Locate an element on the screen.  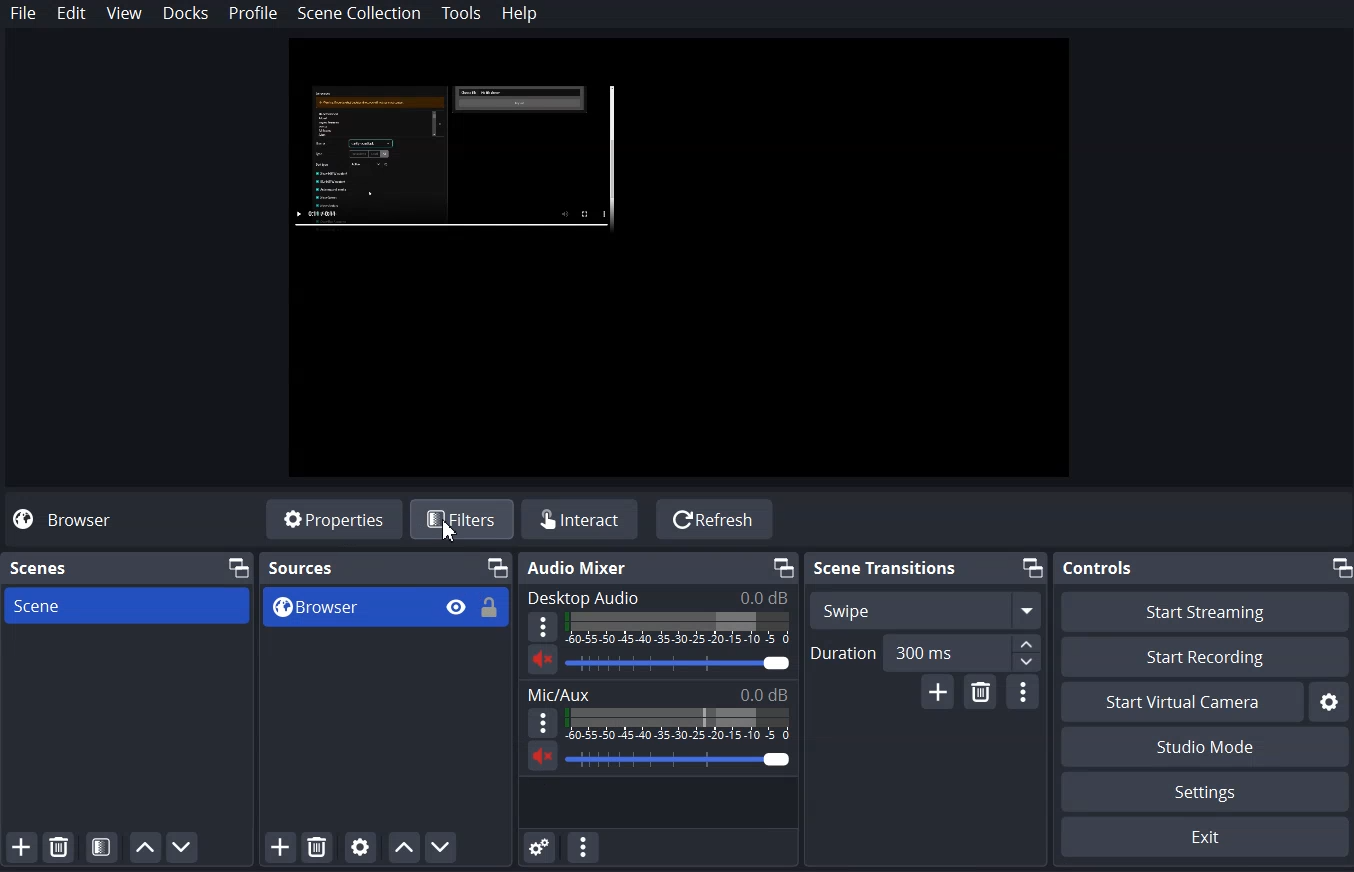
Move Source Down is located at coordinates (440, 847).